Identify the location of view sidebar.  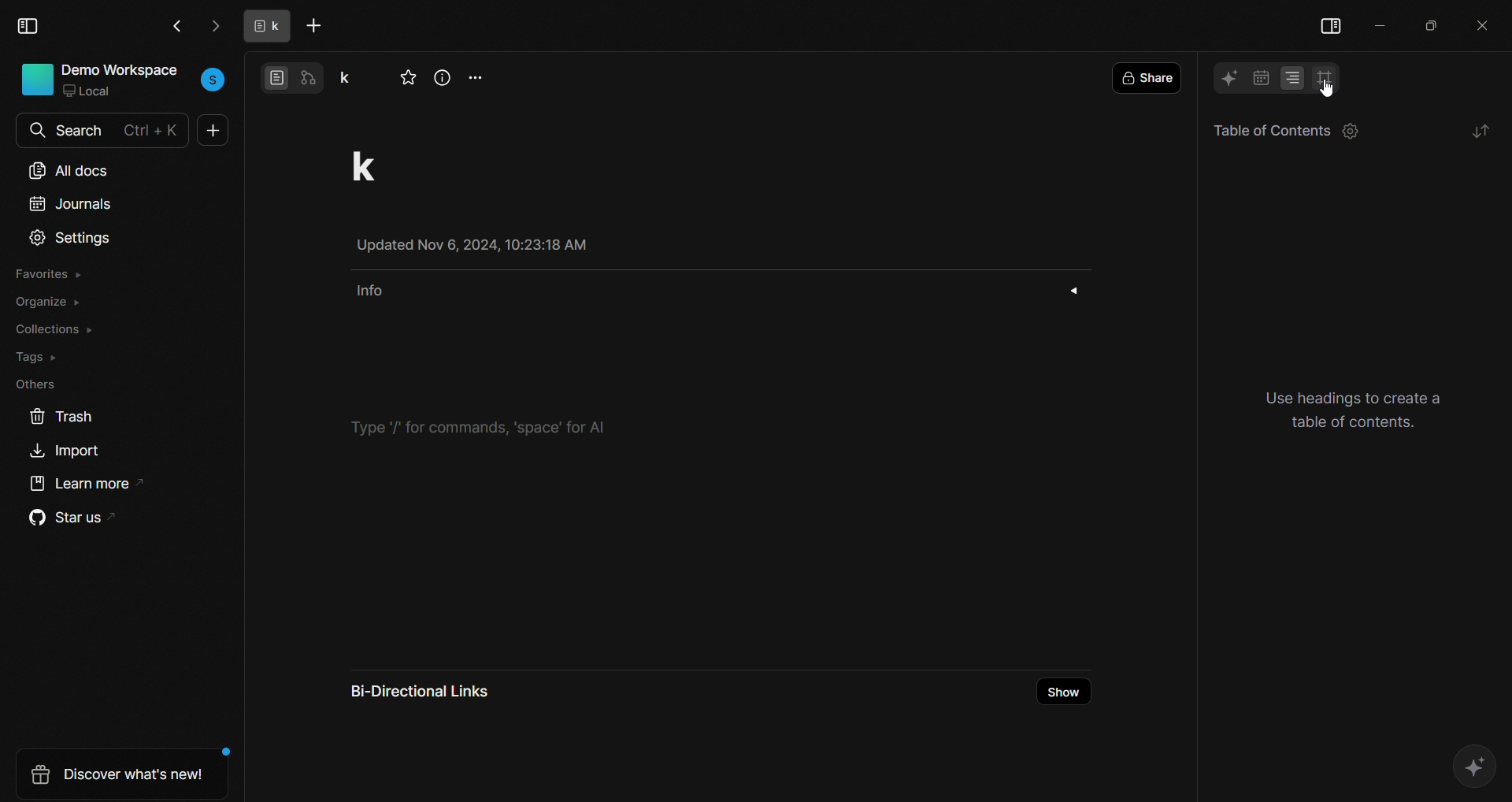
(30, 26).